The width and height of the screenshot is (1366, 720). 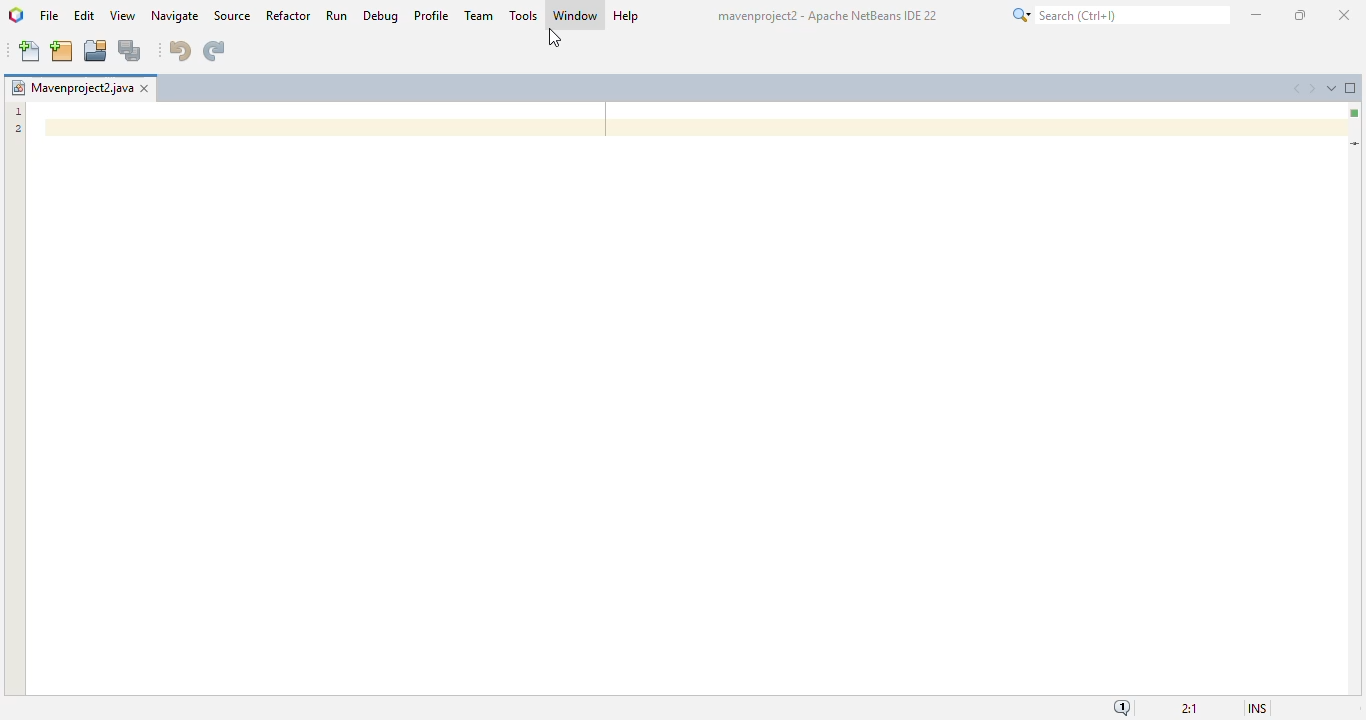 What do you see at coordinates (50, 15) in the screenshot?
I see `file` at bounding box center [50, 15].